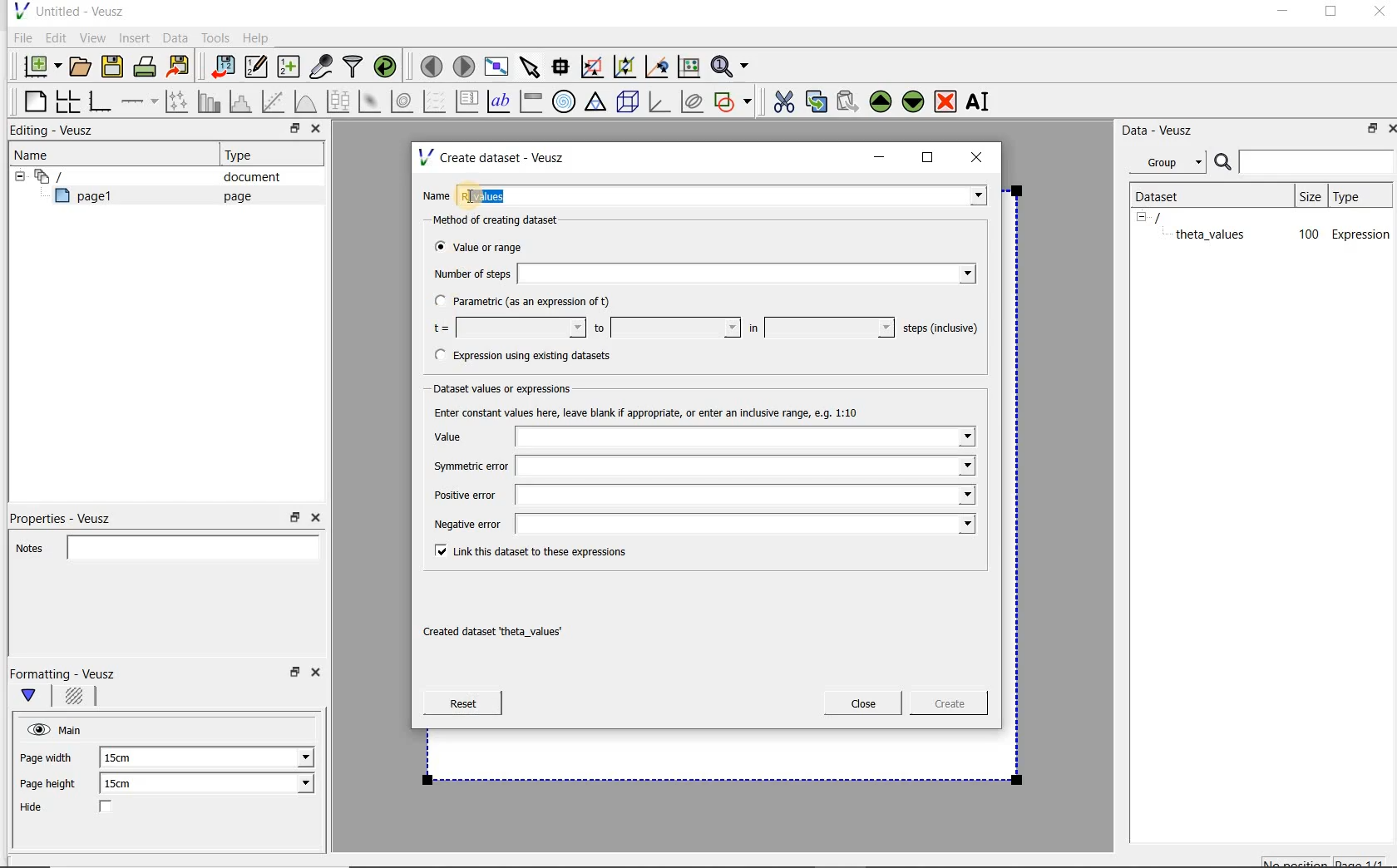 Image resolution: width=1397 pixels, height=868 pixels. I want to click on Page width dropdown, so click(287, 757).